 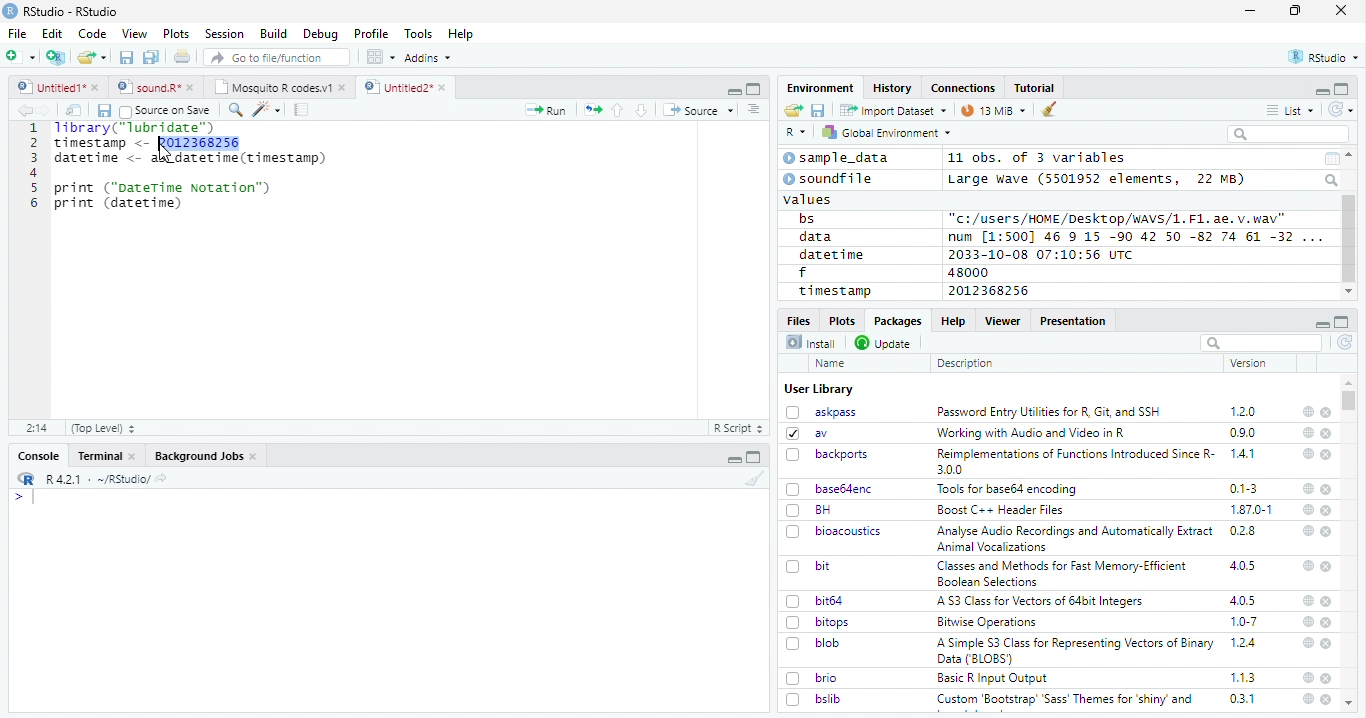 What do you see at coordinates (830, 488) in the screenshot?
I see `base64enc` at bounding box center [830, 488].